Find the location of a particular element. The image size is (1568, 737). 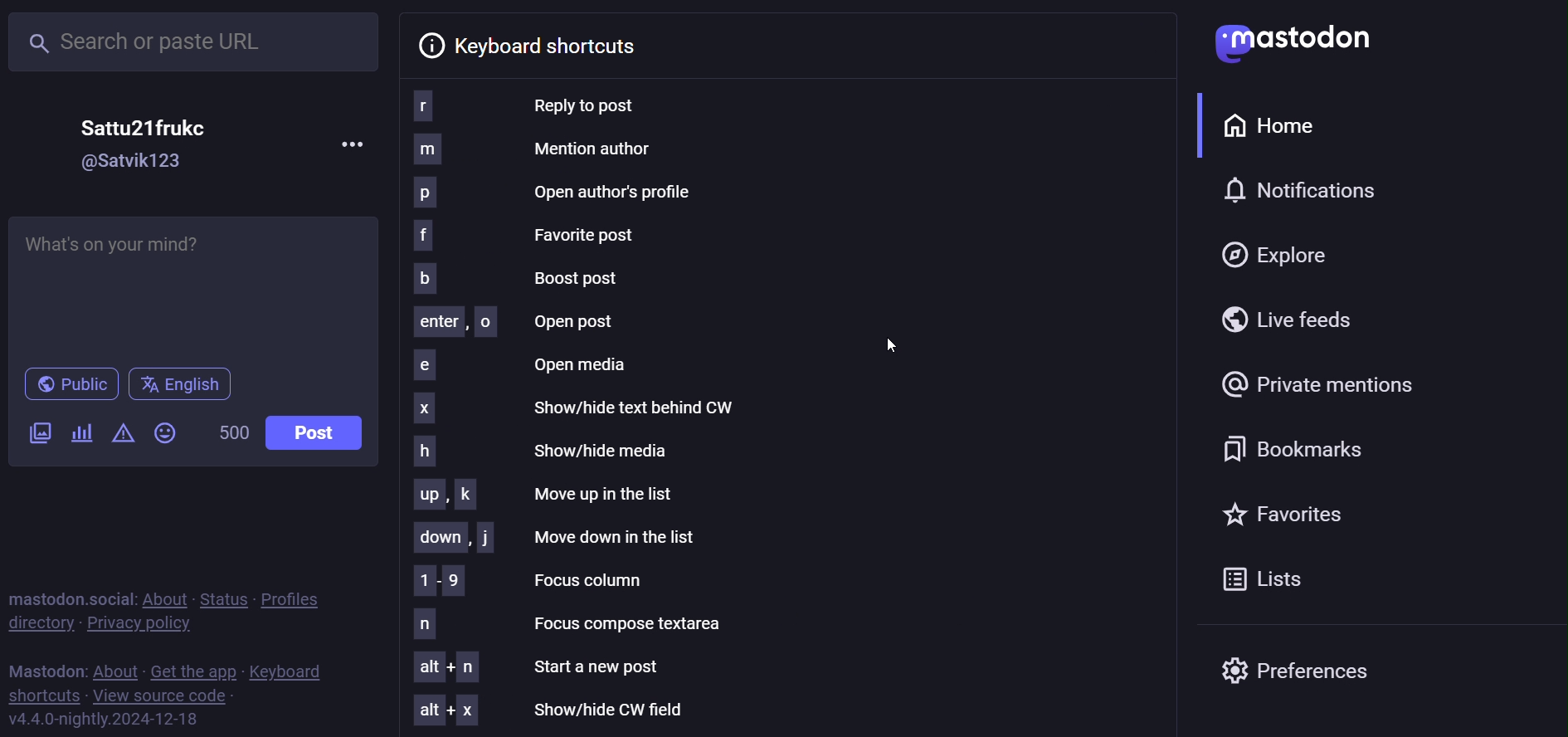

mastodon is located at coordinates (1288, 43).